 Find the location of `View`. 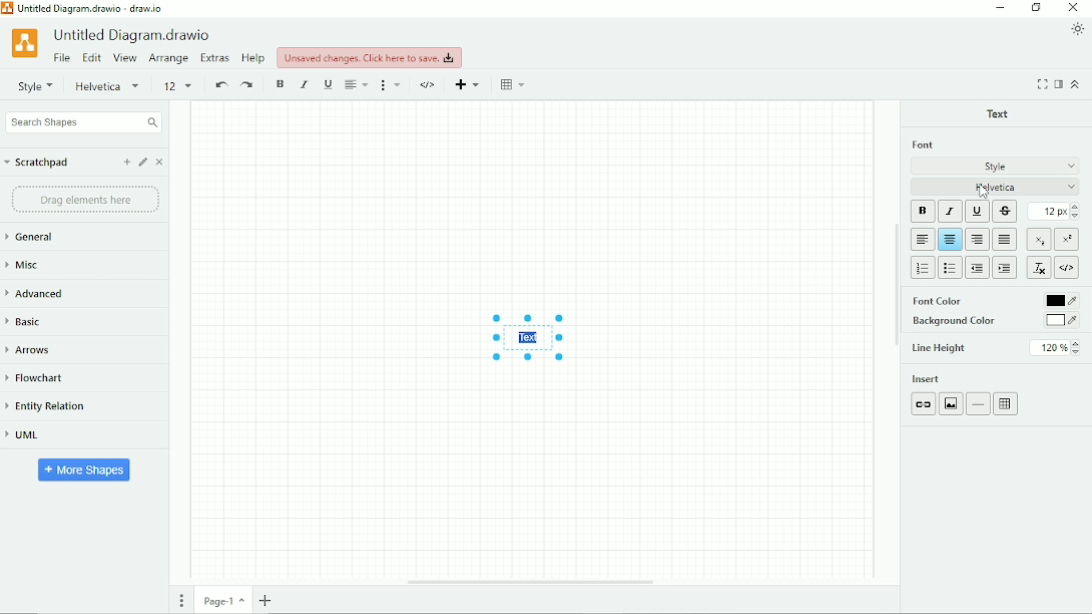

View is located at coordinates (126, 57).